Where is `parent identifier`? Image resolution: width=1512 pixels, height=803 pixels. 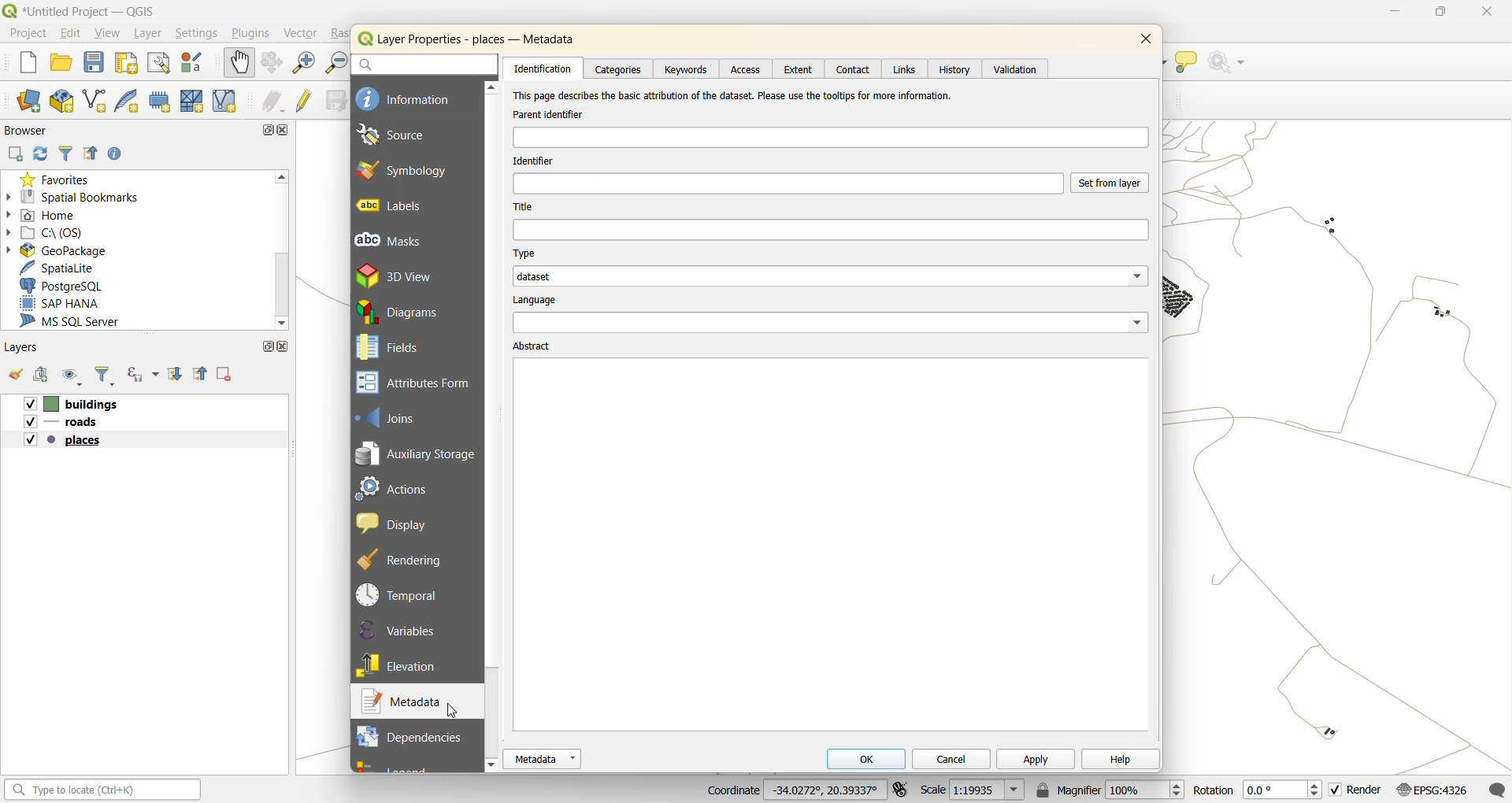 parent identifier is located at coordinates (830, 135).